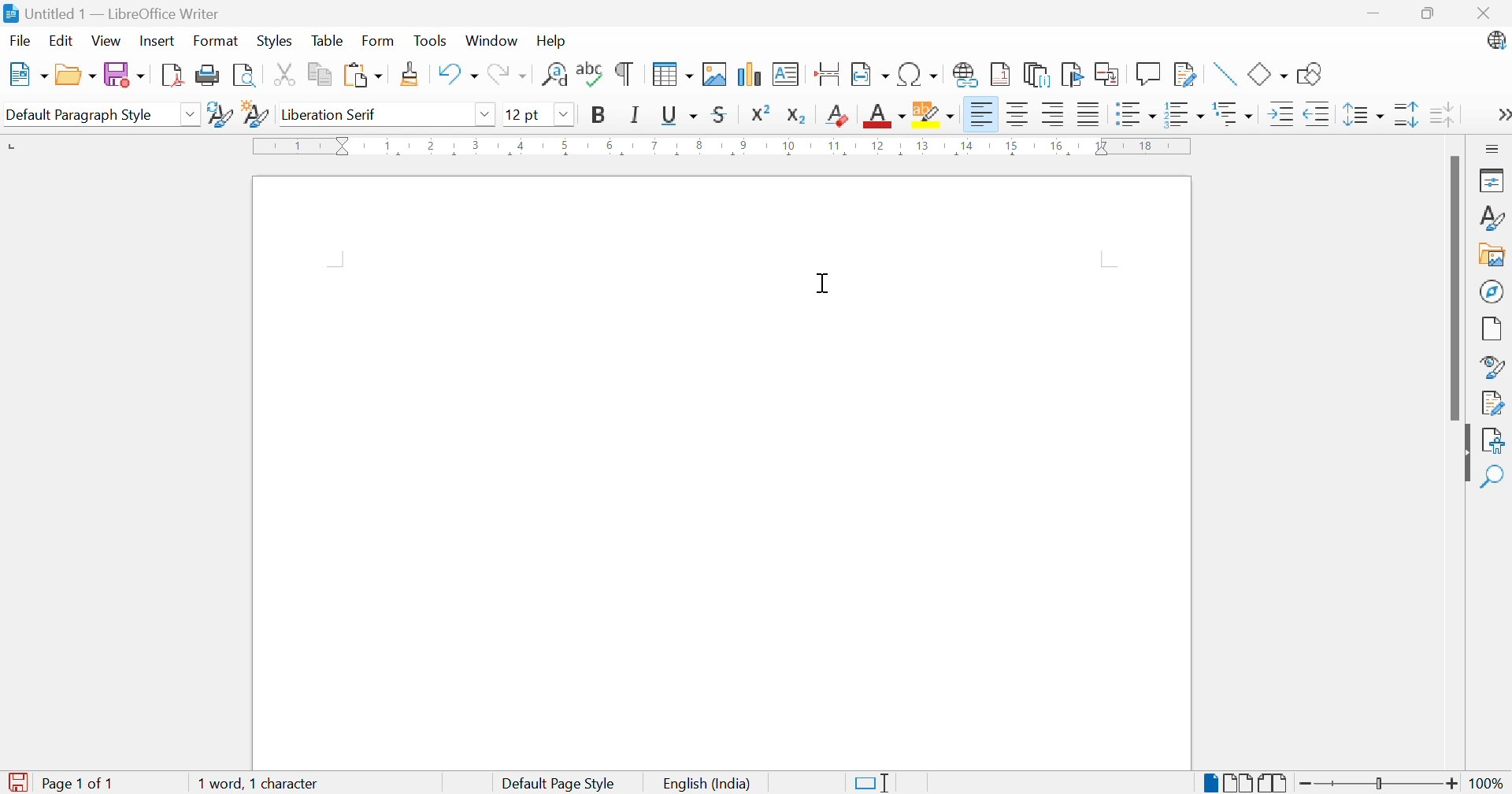  I want to click on Superscript, so click(759, 113).